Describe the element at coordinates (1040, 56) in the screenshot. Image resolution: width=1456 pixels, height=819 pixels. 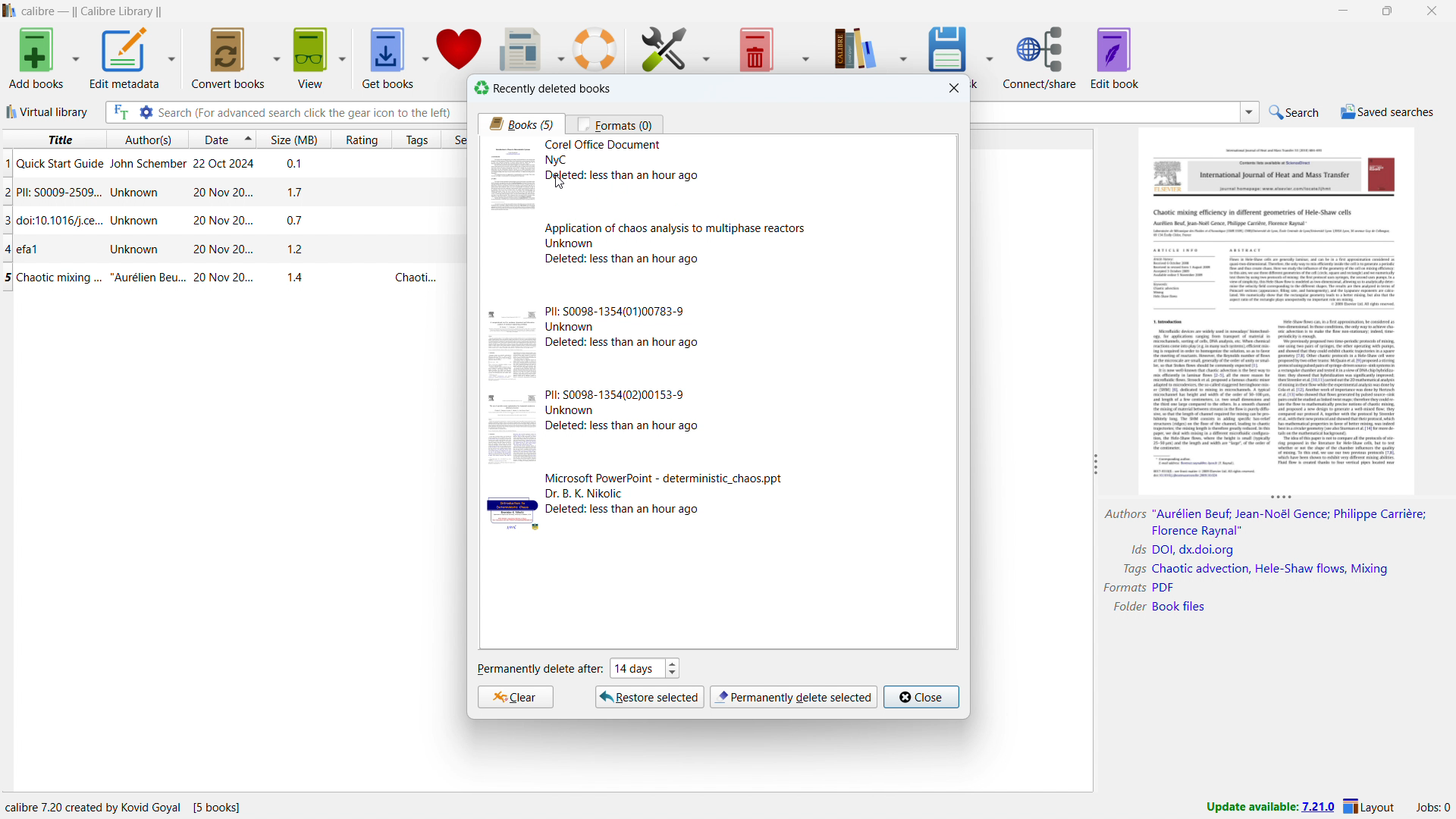
I see `connect/share` at that location.